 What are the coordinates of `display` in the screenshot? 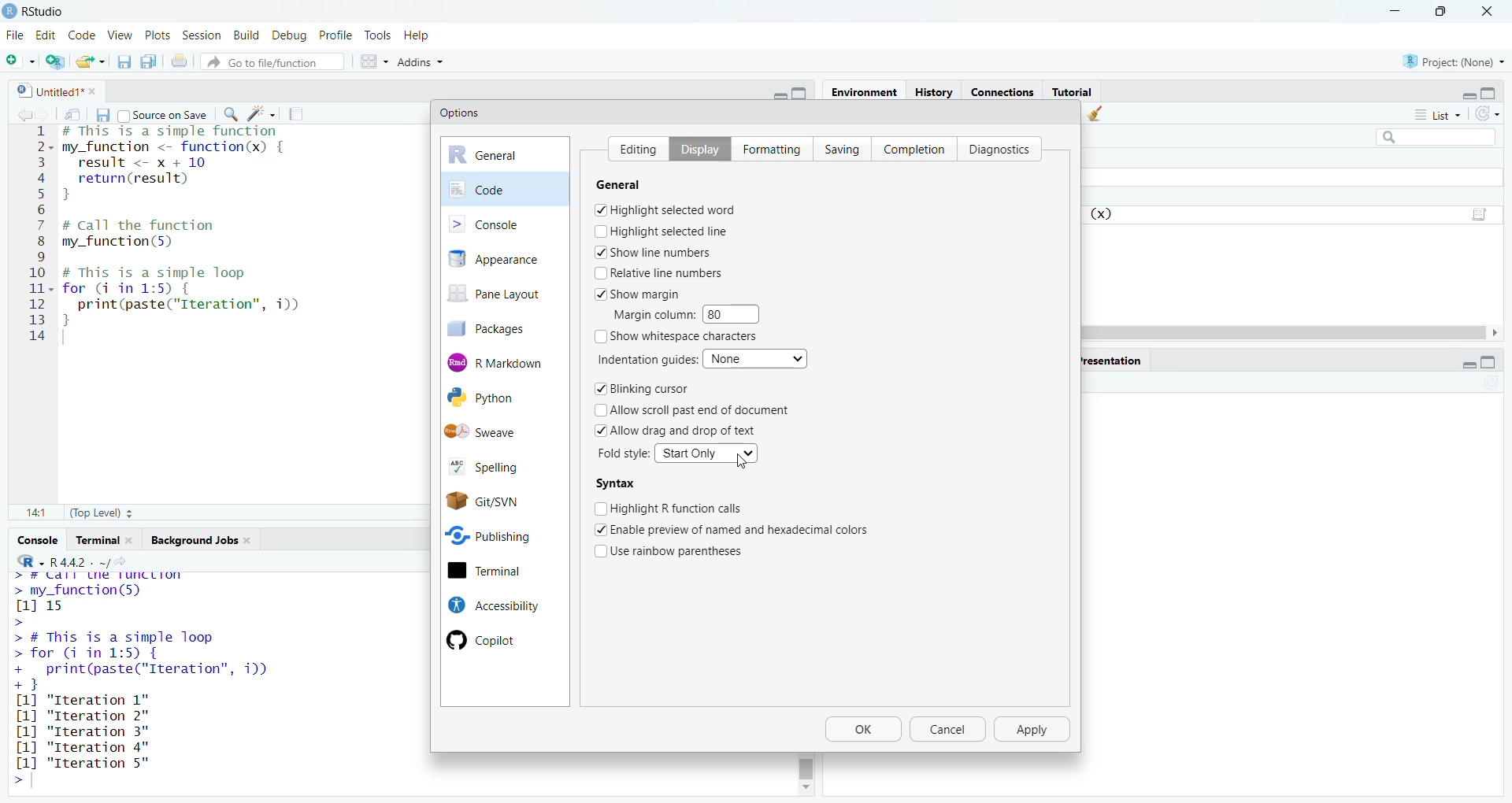 It's located at (694, 148).